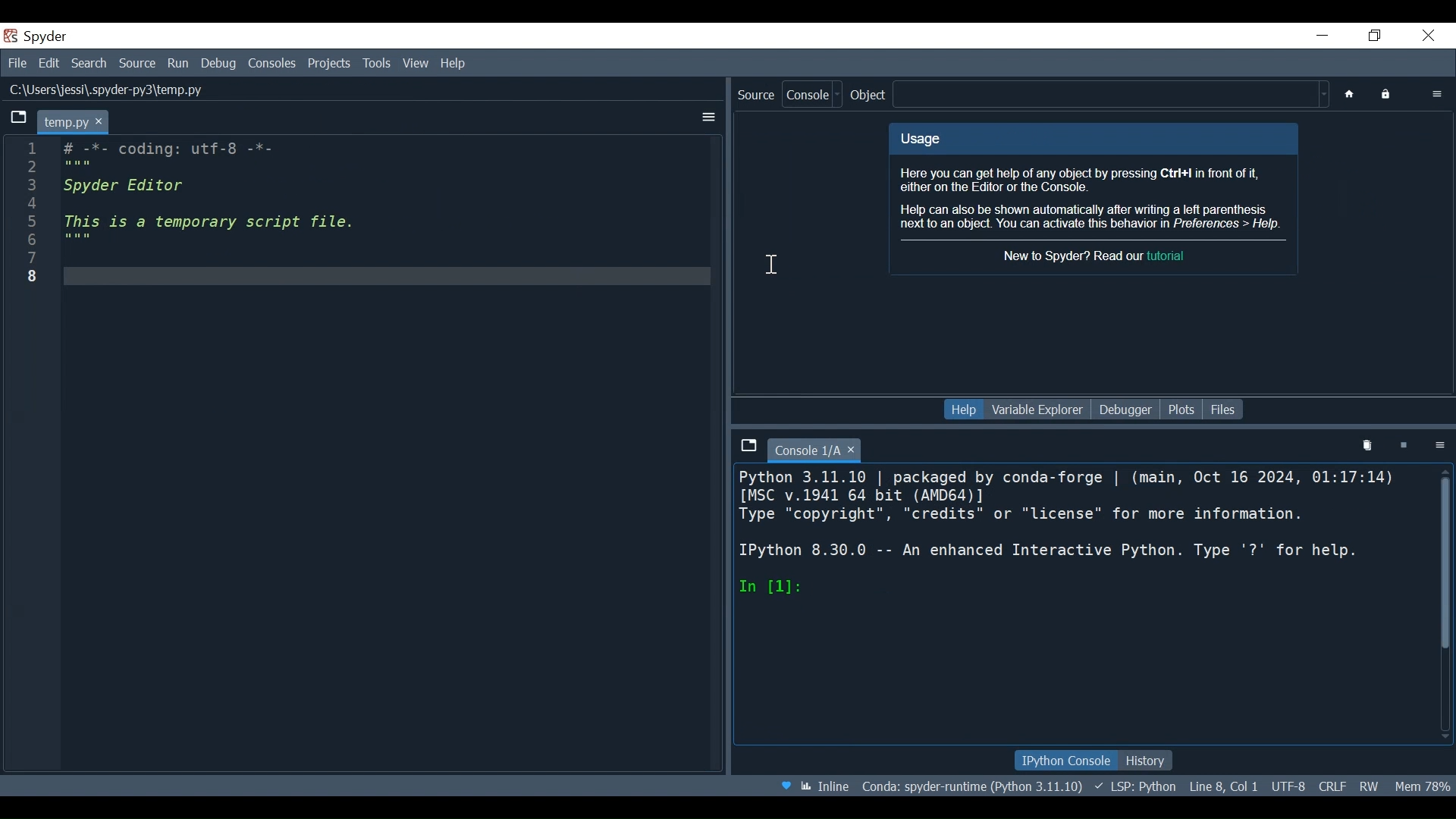 This screenshot has height=819, width=1456. I want to click on Source, so click(136, 63).